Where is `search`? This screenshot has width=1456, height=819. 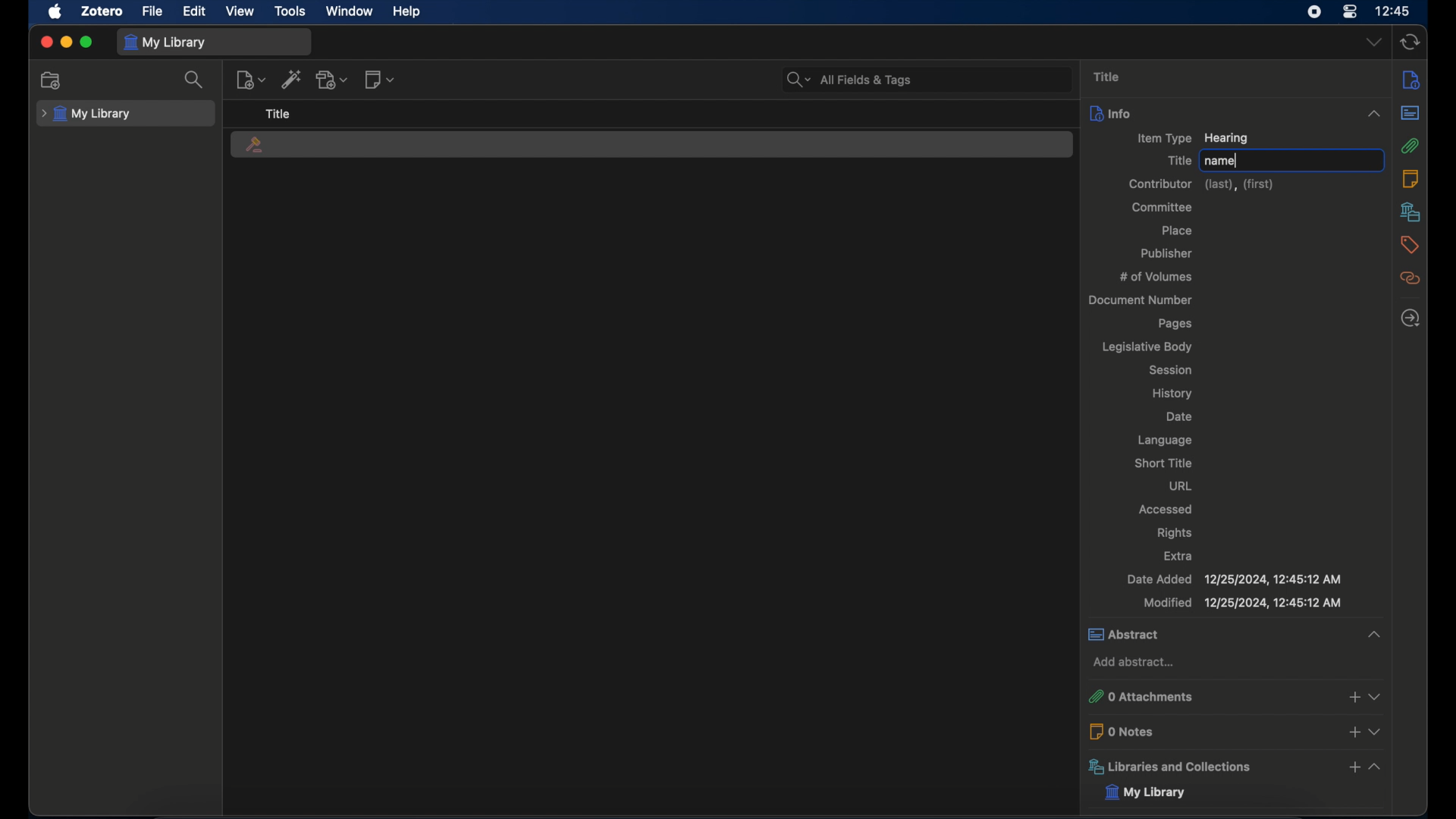
search is located at coordinates (849, 80).